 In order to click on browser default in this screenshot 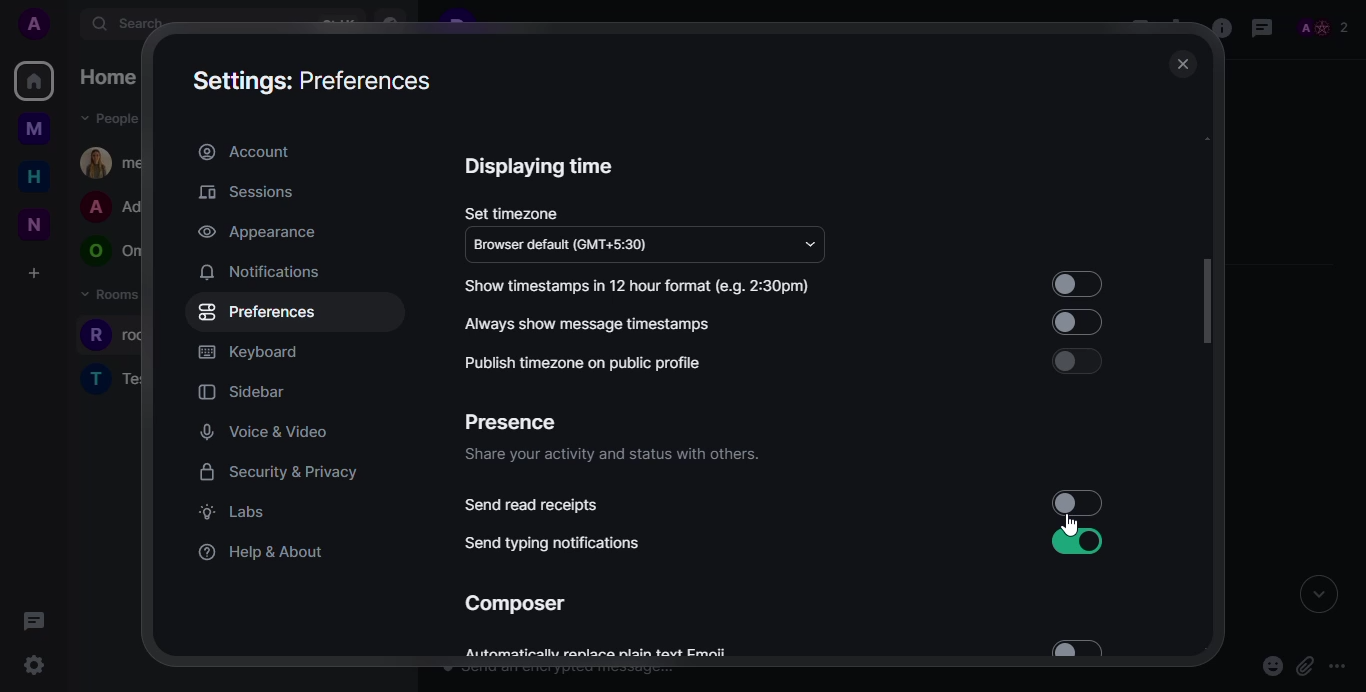, I will do `click(562, 244)`.